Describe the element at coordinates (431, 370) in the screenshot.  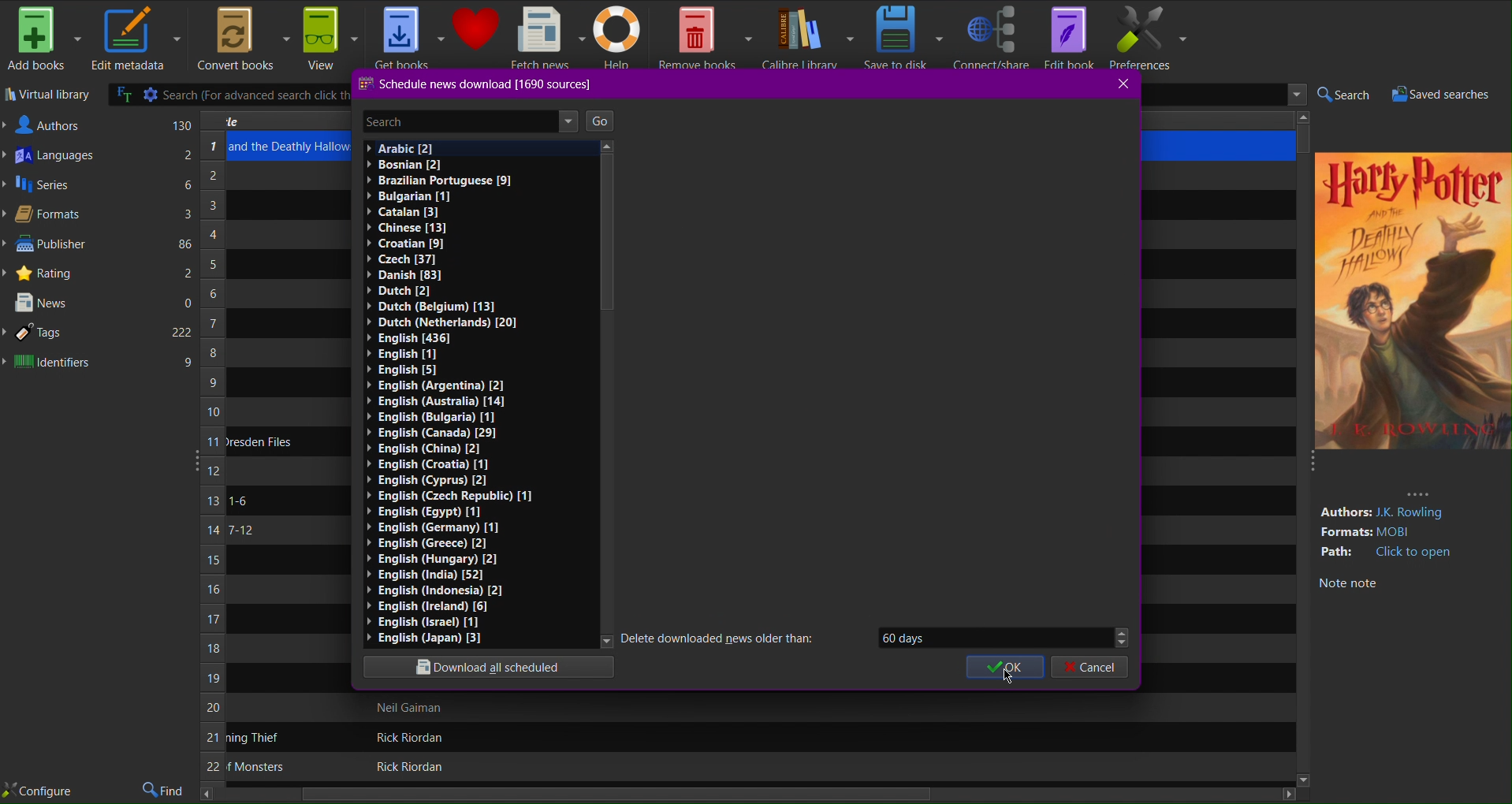
I see `English  [5]` at that location.